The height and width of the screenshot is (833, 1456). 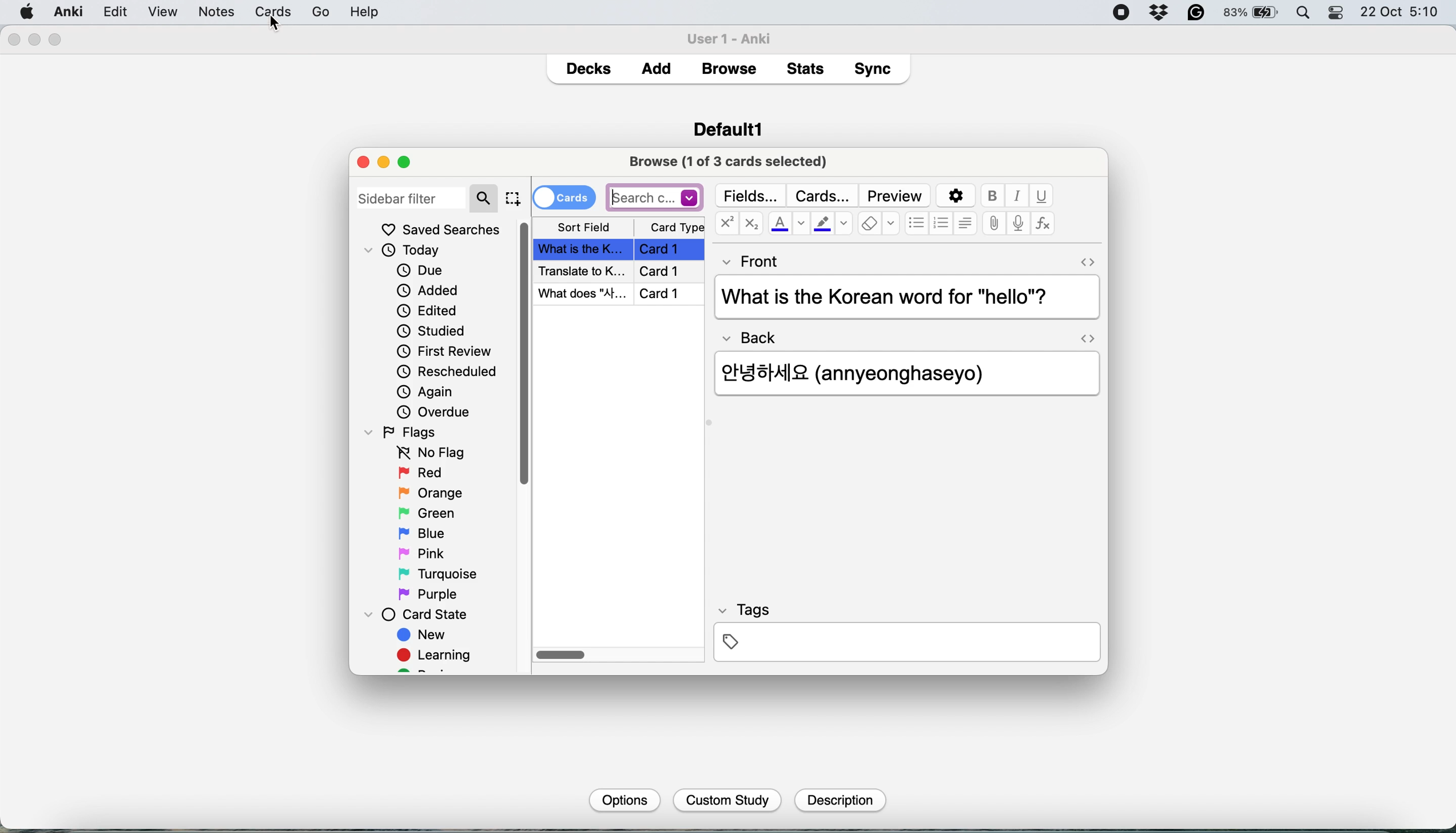 I want to click on search bar, so click(x=427, y=197).